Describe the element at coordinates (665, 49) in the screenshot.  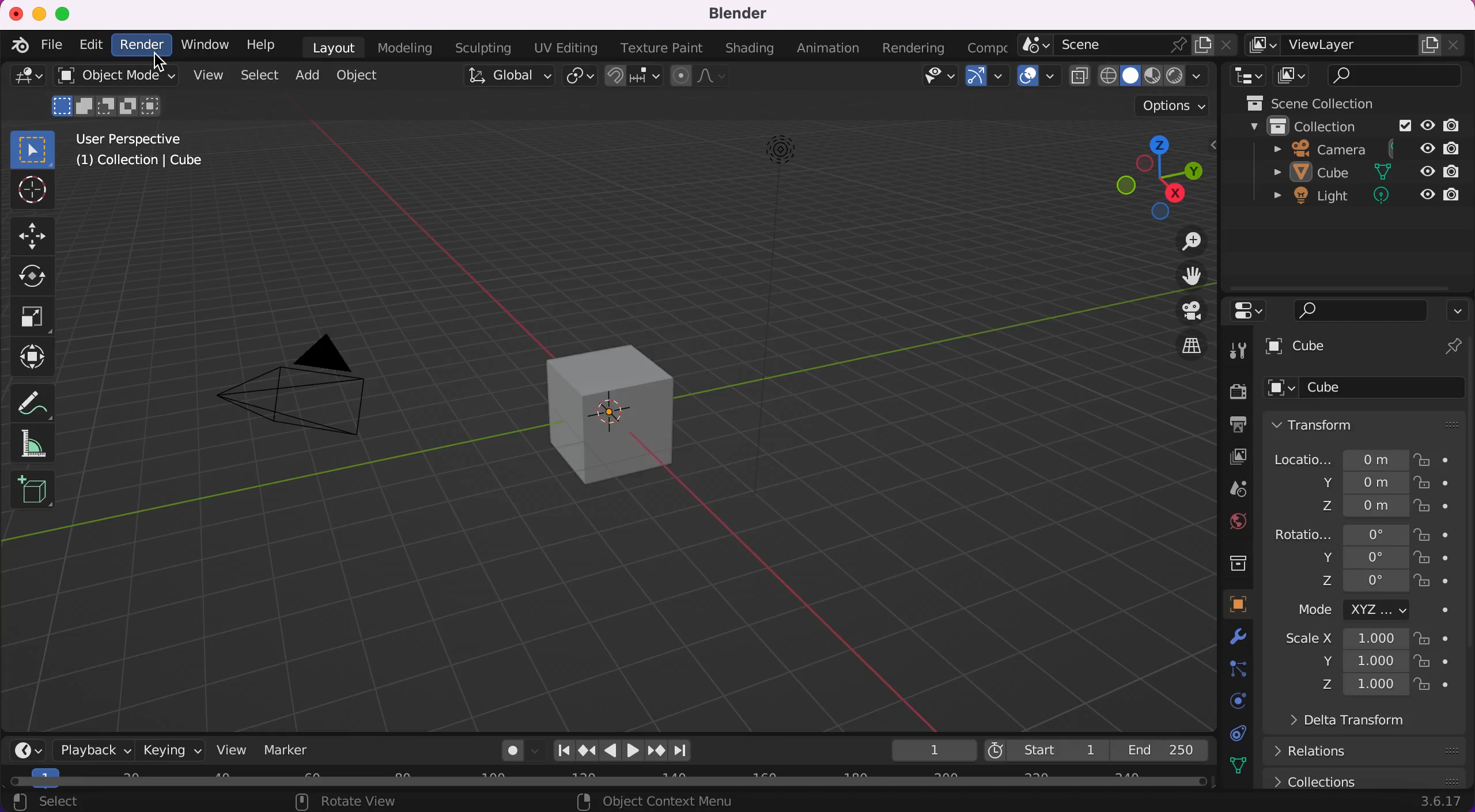
I see `texture paint` at that location.